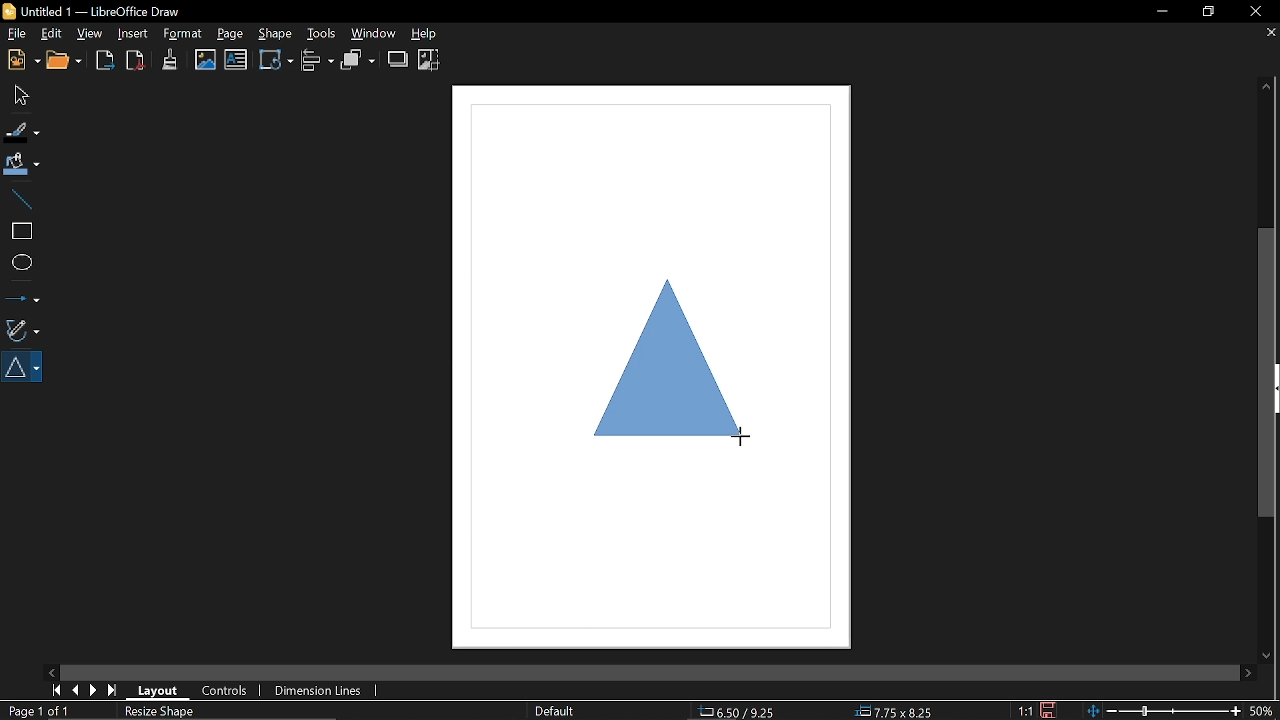 This screenshot has width=1280, height=720. I want to click on Line, so click(19, 198).